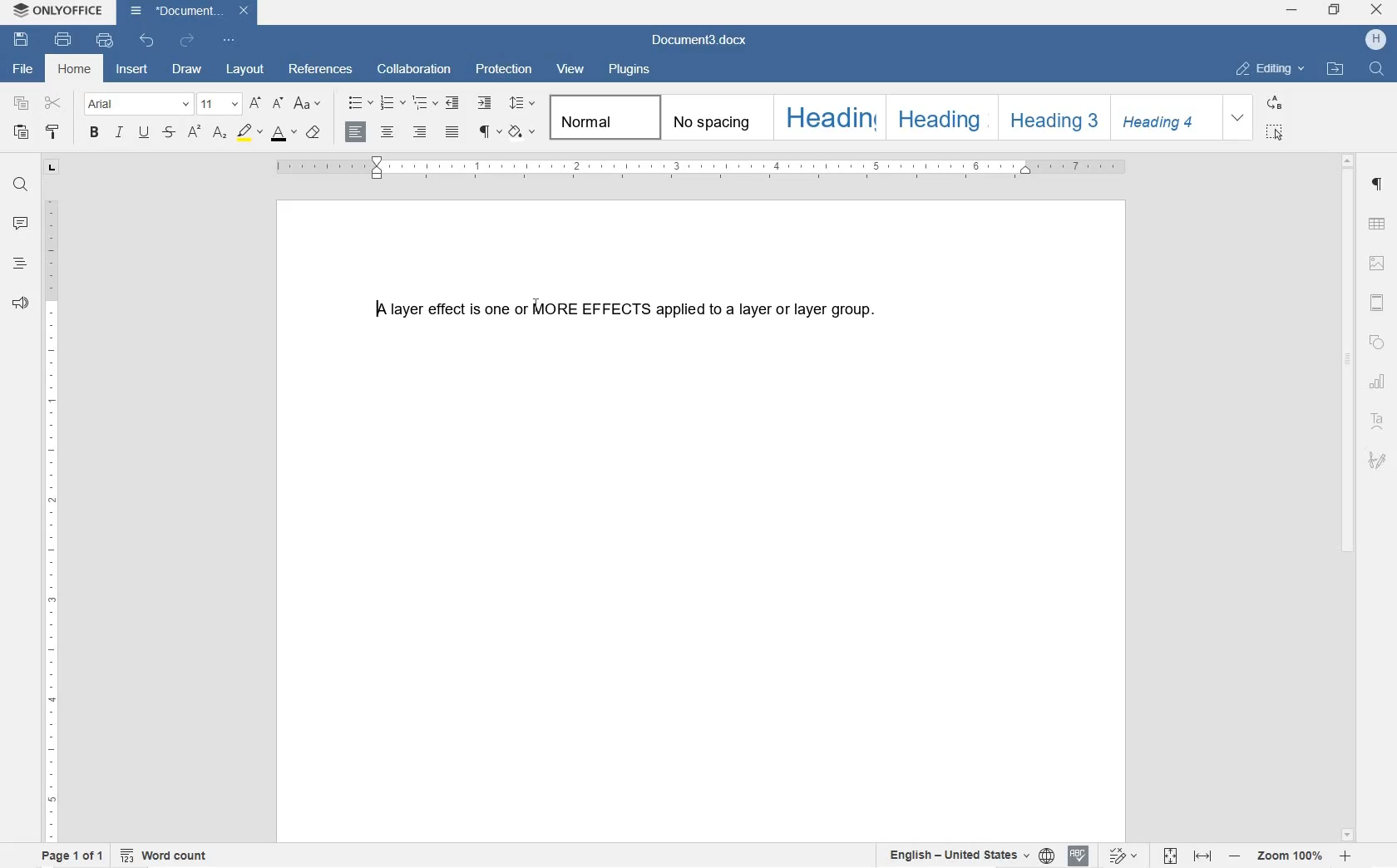 This screenshot has height=868, width=1397. I want to click on CHART, so click(1380, 382).